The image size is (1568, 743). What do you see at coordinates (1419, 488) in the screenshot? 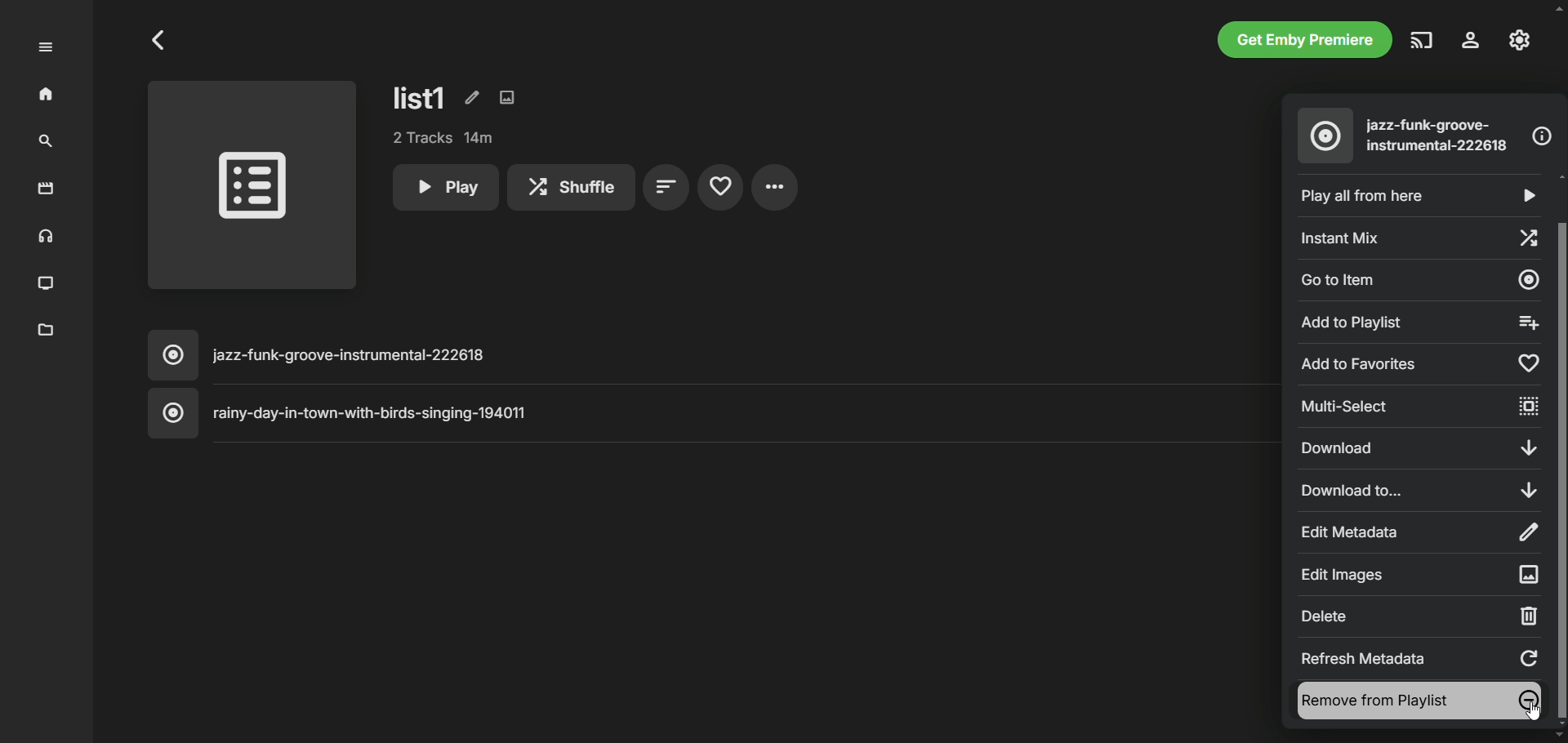
I see `download to` at bounding box center [1419, 488].